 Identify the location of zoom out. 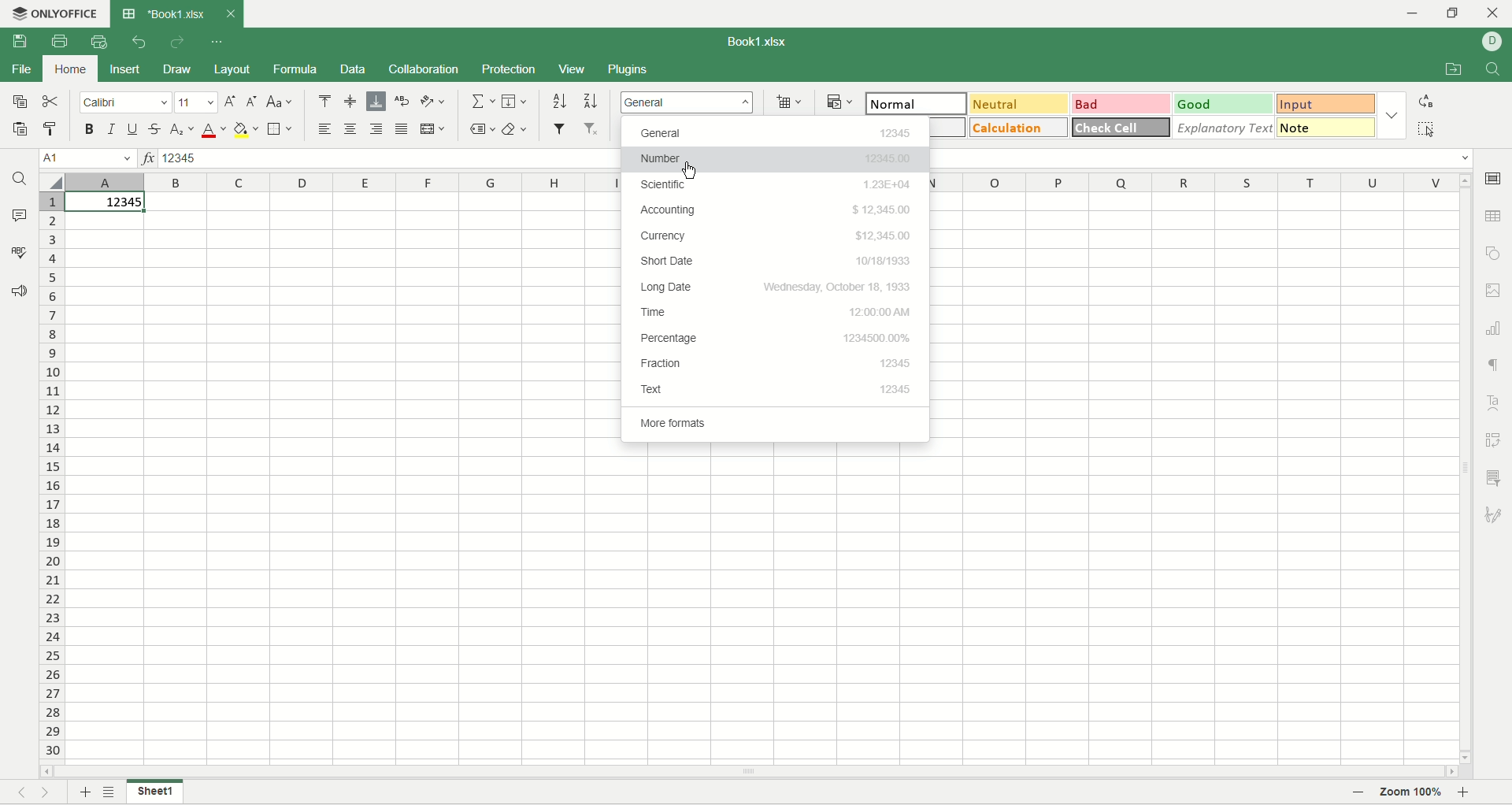
(1359, 793).